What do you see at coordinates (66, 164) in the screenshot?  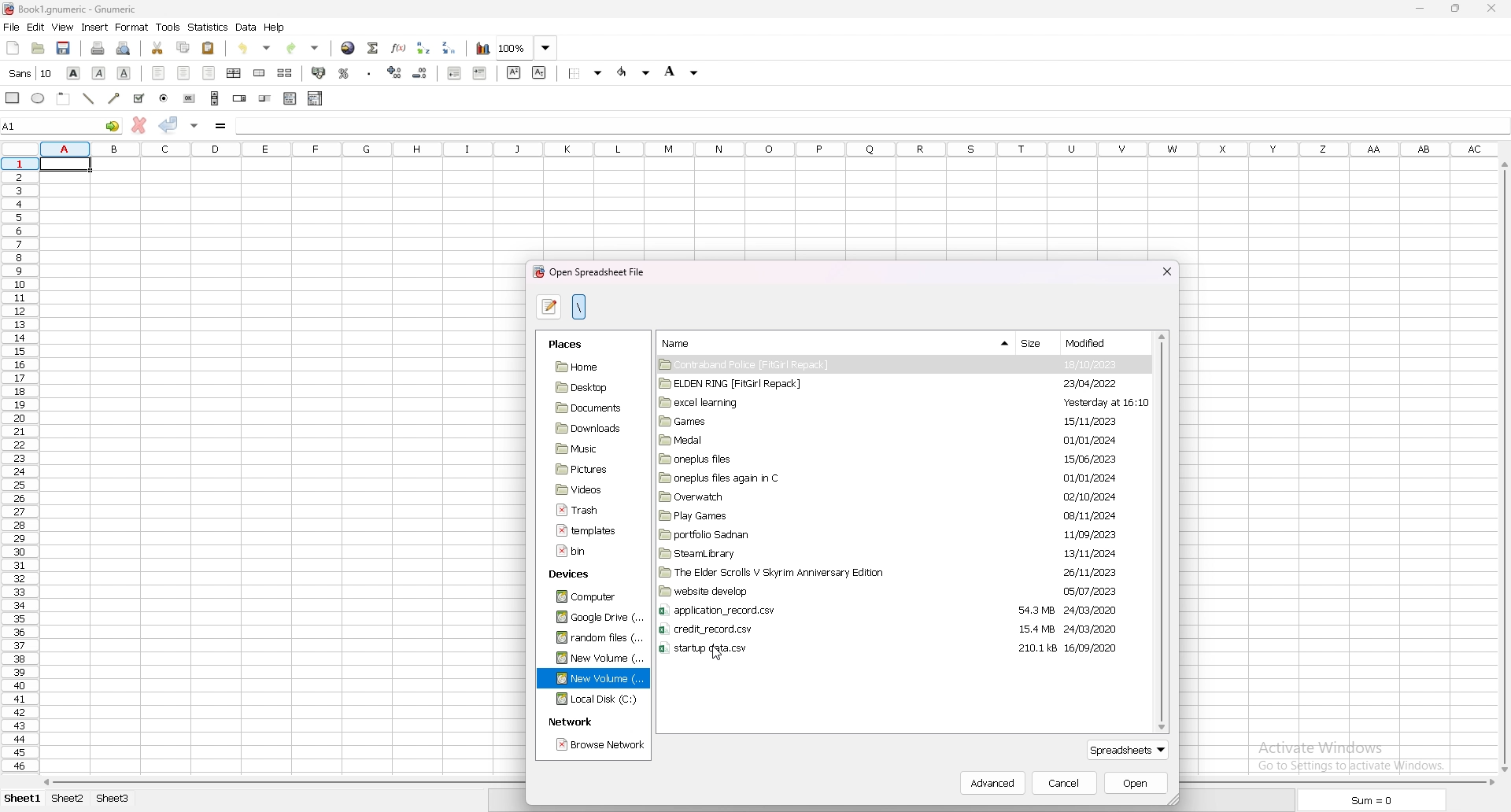 I see `selected cell` at bounding box center [66, 164].